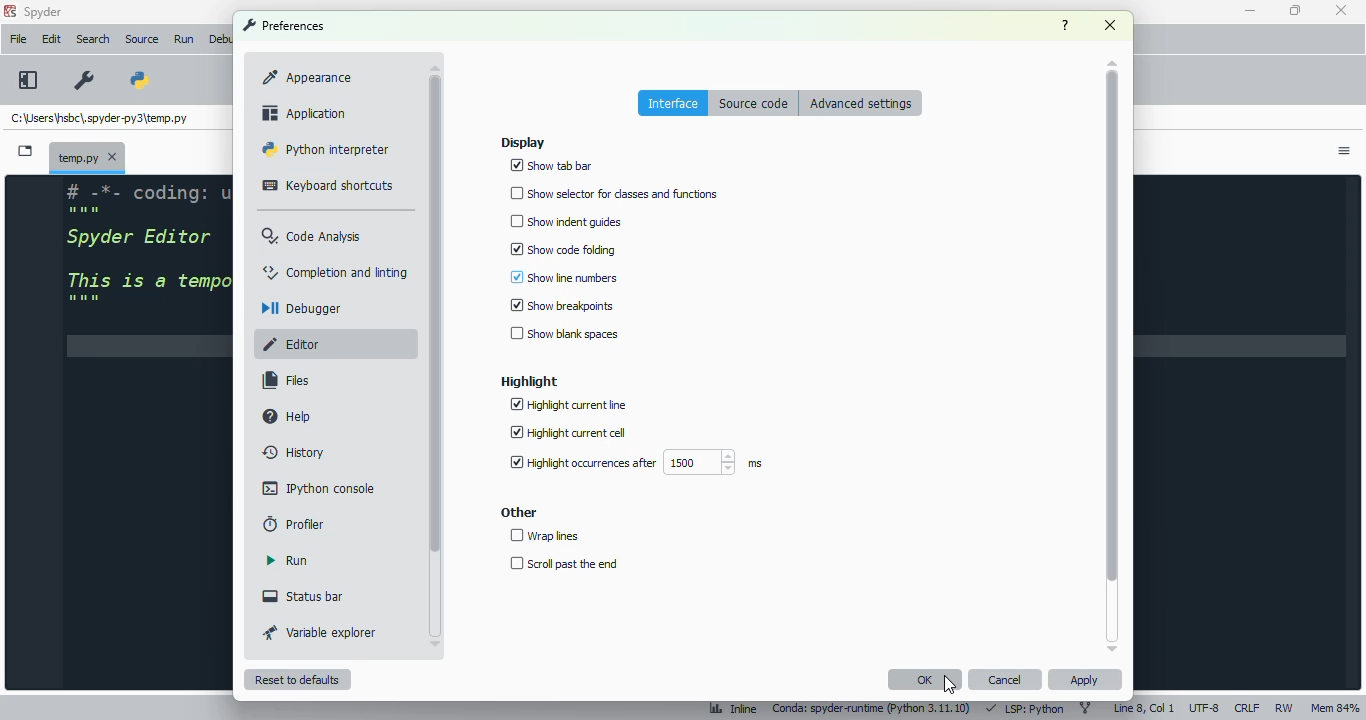 This screenshot has width=1366, height=720. Describe the element at coordinates (728, 706) in the screenshot. I see `Inline` at that location.